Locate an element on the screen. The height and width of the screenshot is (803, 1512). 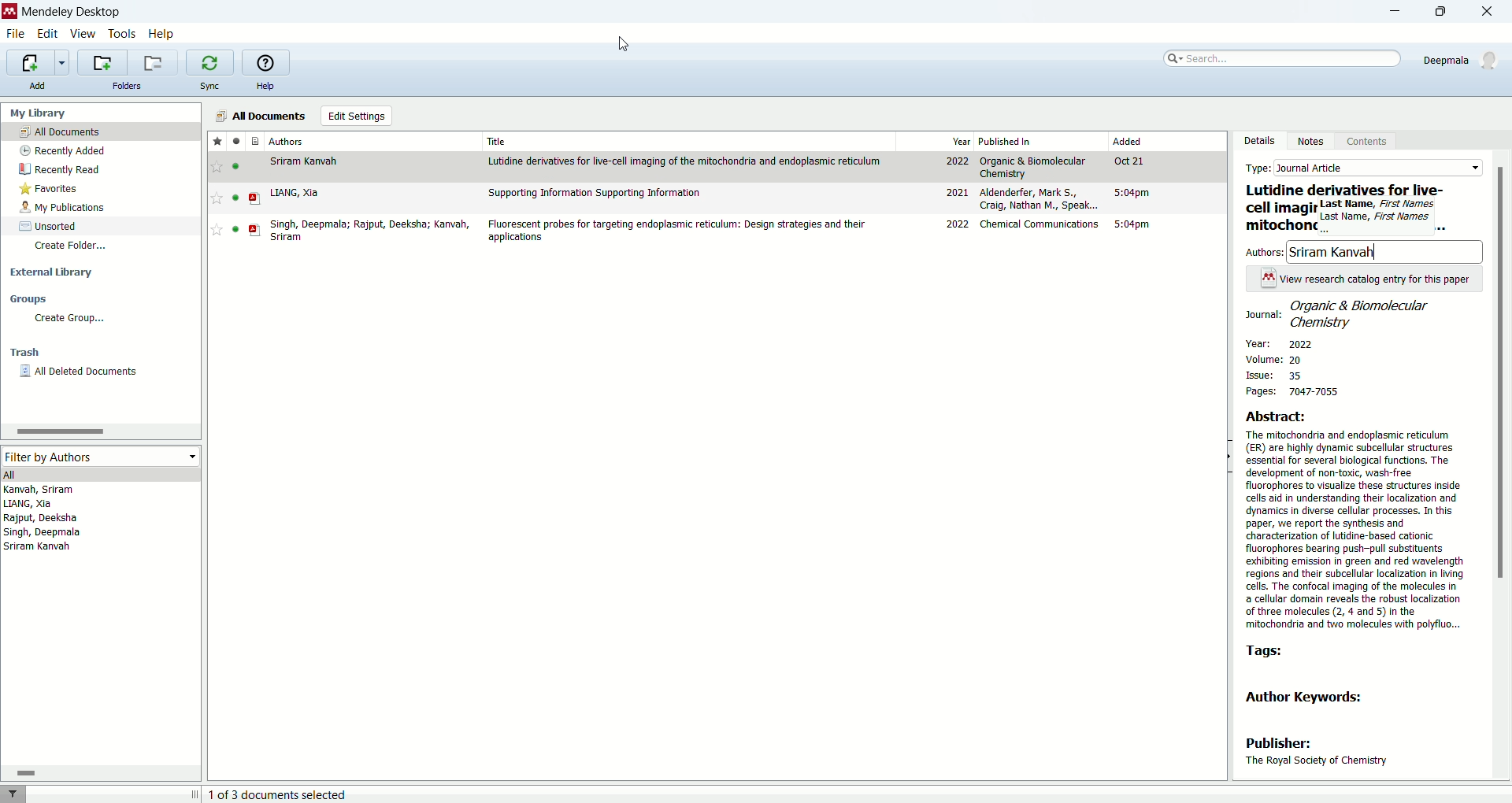
filter by authors is located at coordinates (101, 455).